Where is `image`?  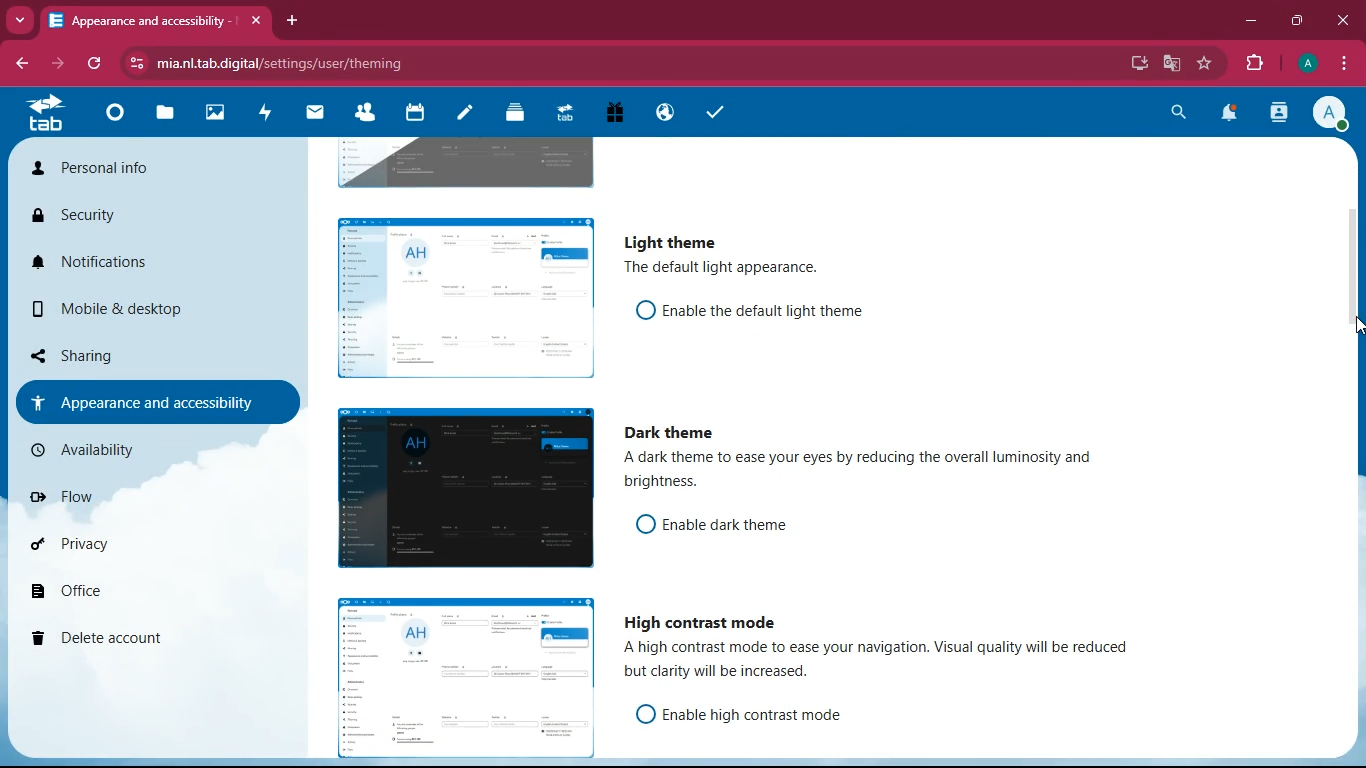 image is located at coordinates (460, 490).